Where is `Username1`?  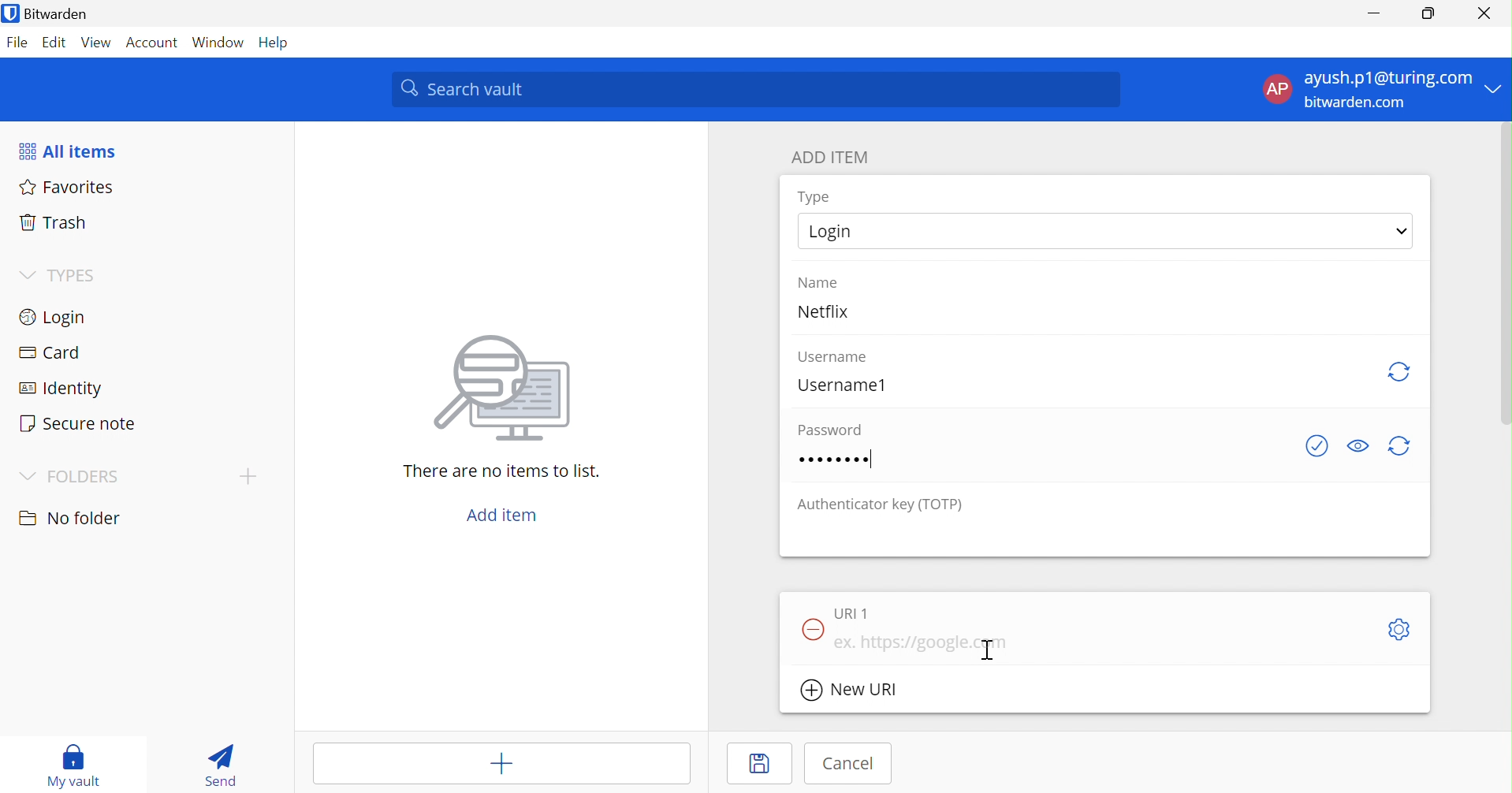 Username1 is located at coordinates (842, 386).